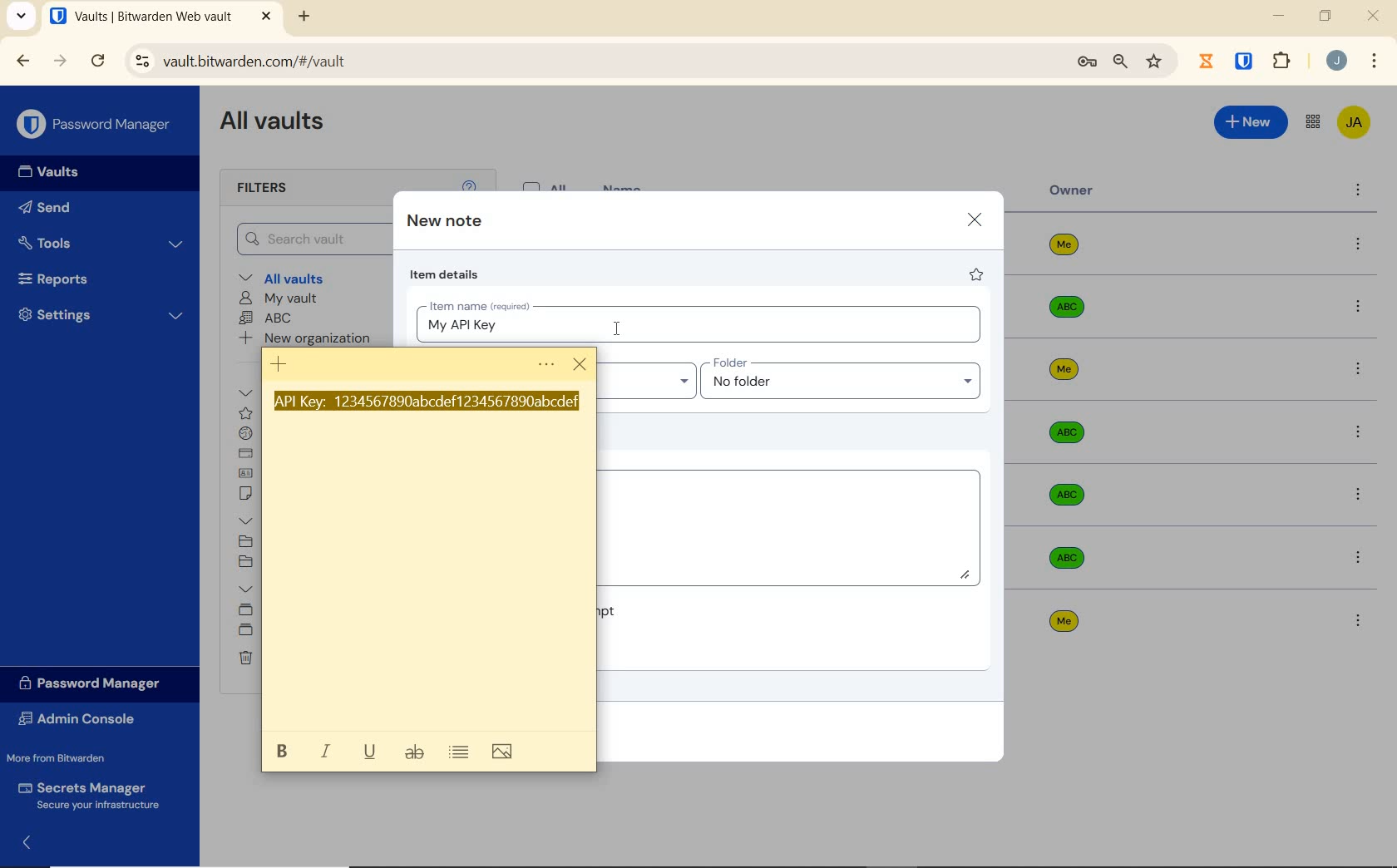 The height and width of the screenshot is (868, 1397). Describe the element at coordinates (581, 366) in the screenshot. I see `cursor` at that location.